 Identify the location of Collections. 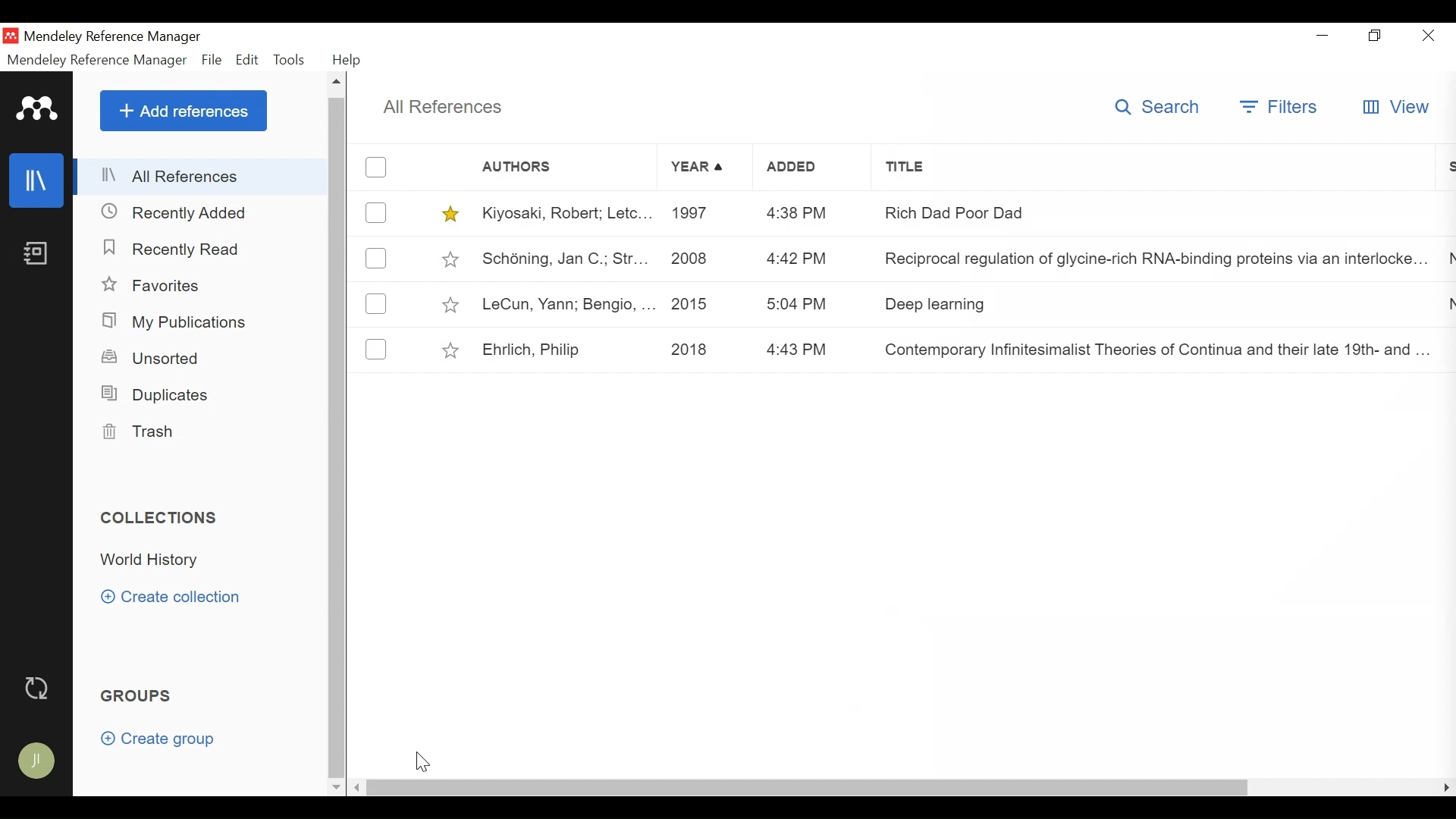
(161, 517).